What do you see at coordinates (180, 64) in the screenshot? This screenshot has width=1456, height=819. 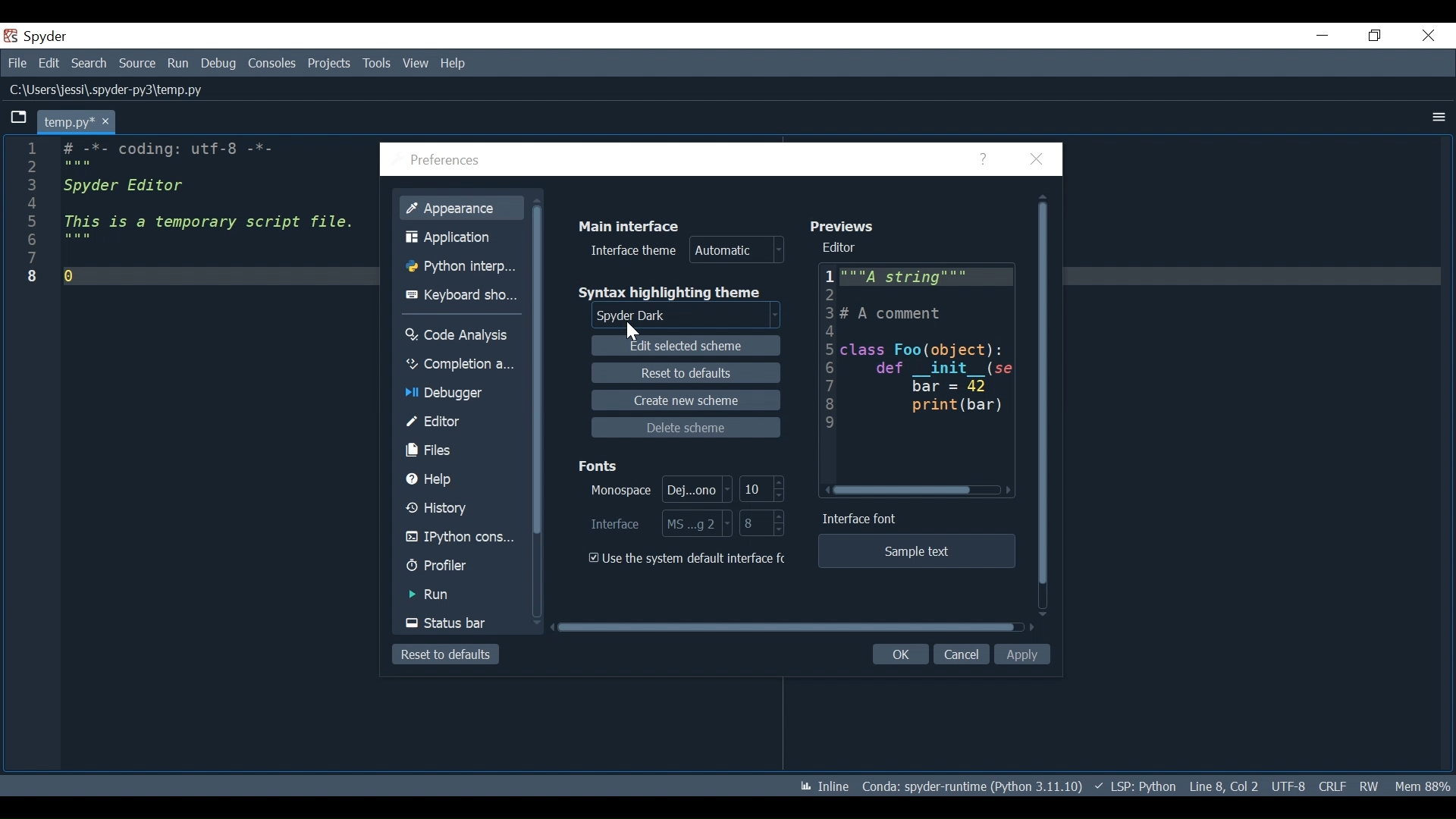 I see `Run` at bounding box center [180, 64].